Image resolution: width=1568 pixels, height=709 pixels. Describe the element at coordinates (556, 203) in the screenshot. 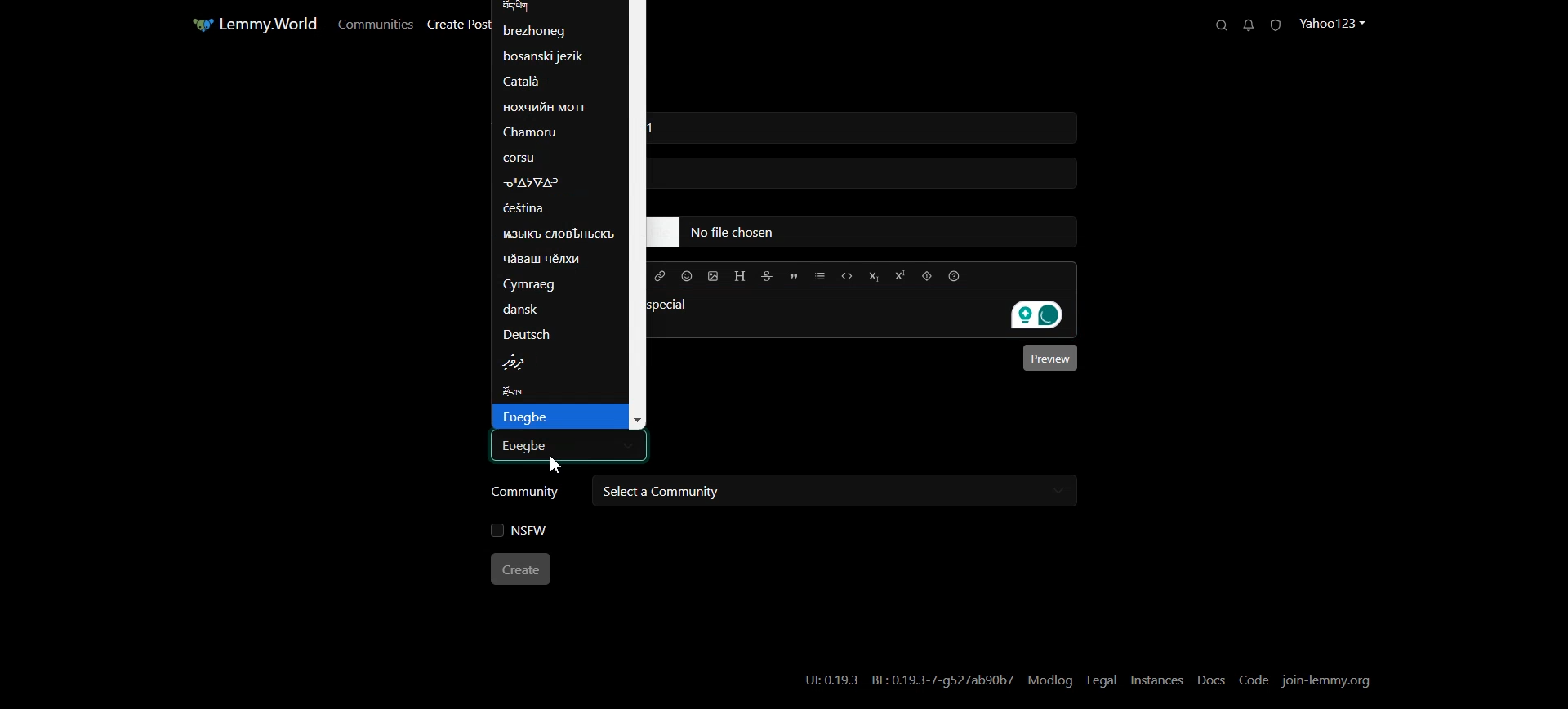

I see `Language` at that location.